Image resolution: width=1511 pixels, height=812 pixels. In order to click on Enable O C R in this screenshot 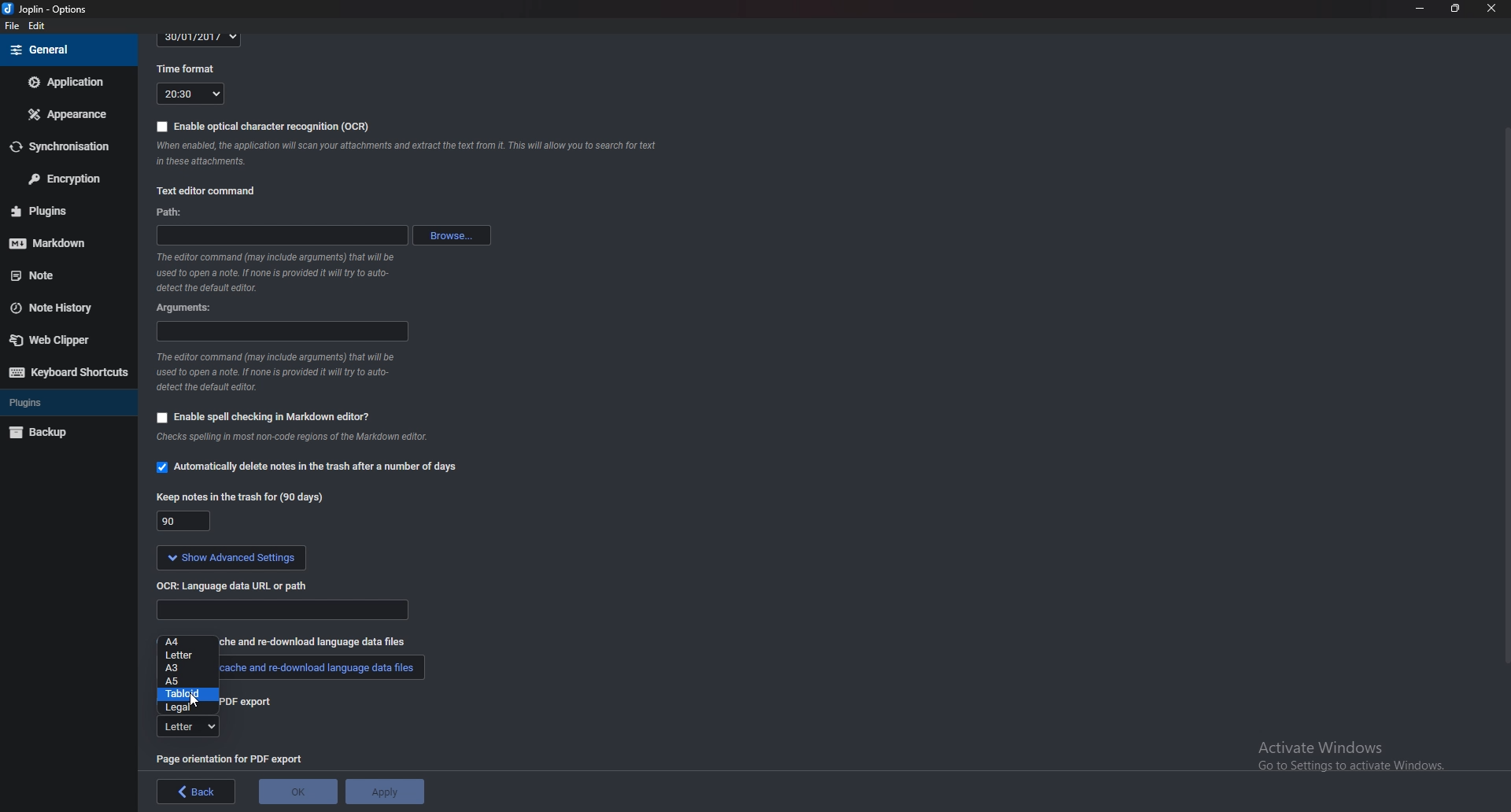, I will do `click(264, 127)`.